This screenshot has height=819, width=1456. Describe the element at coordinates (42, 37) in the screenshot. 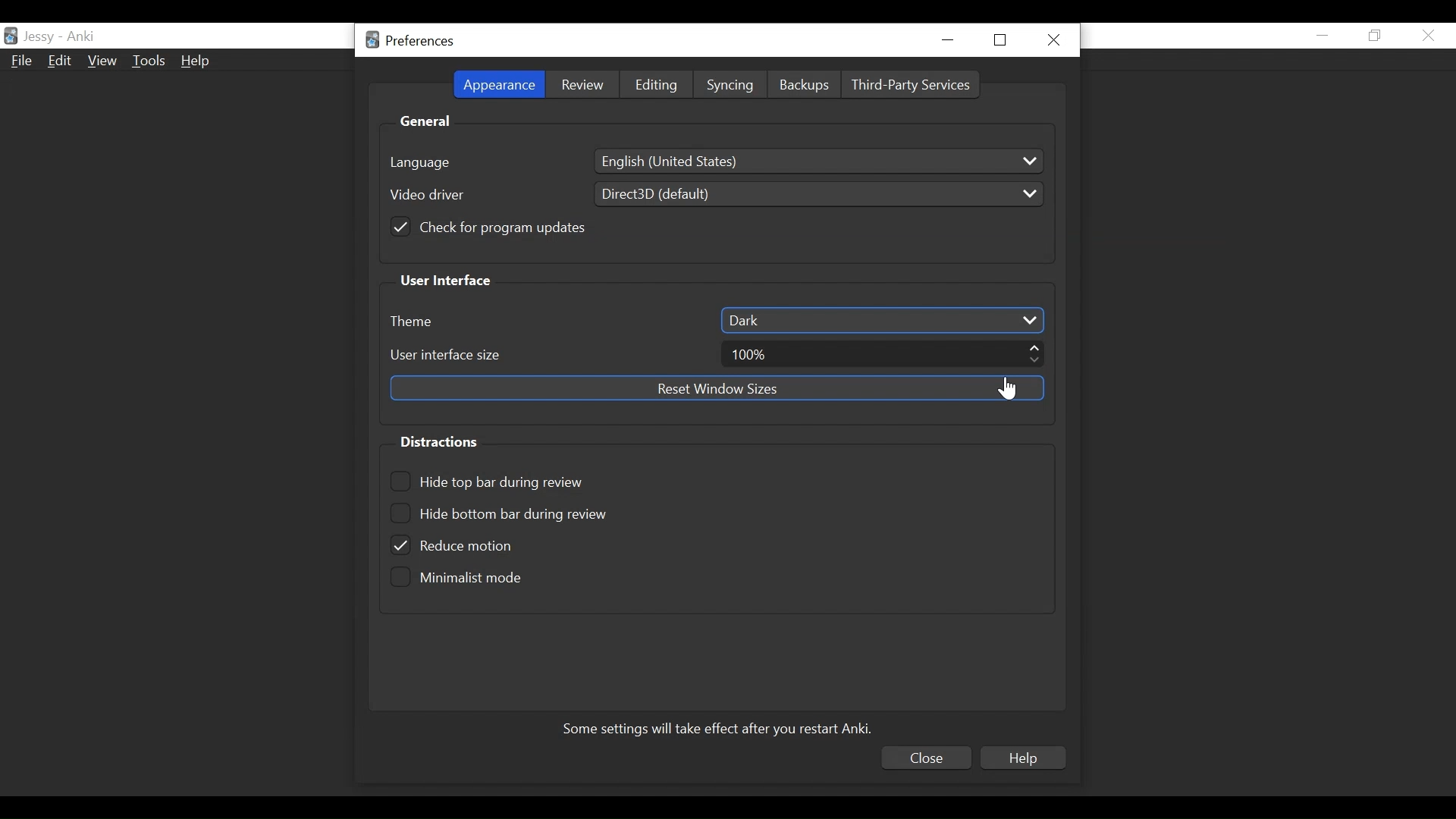

I see `User Name` at that location.